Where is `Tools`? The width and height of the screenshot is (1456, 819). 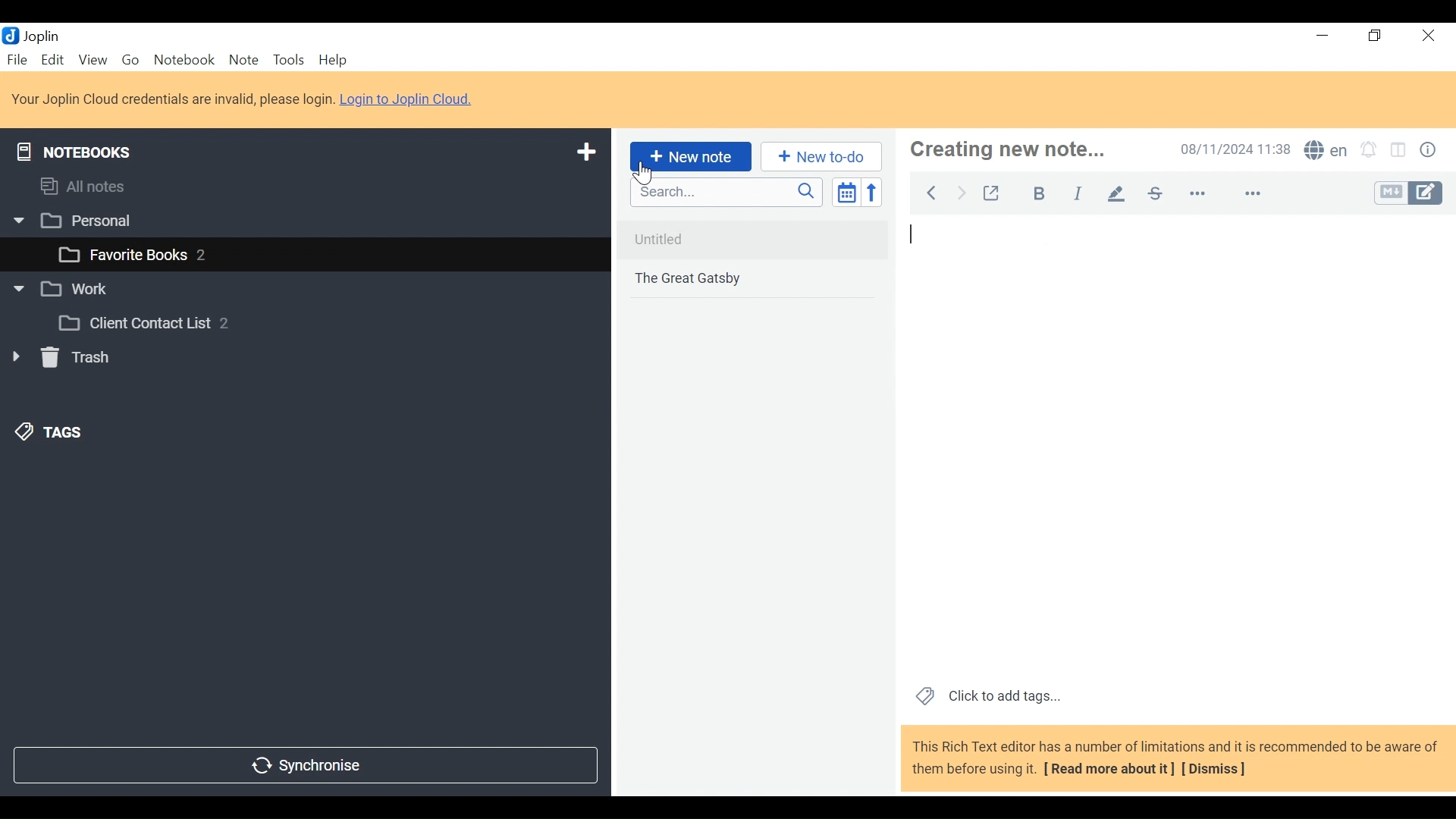
Tools is located at coordinates (287, 61).